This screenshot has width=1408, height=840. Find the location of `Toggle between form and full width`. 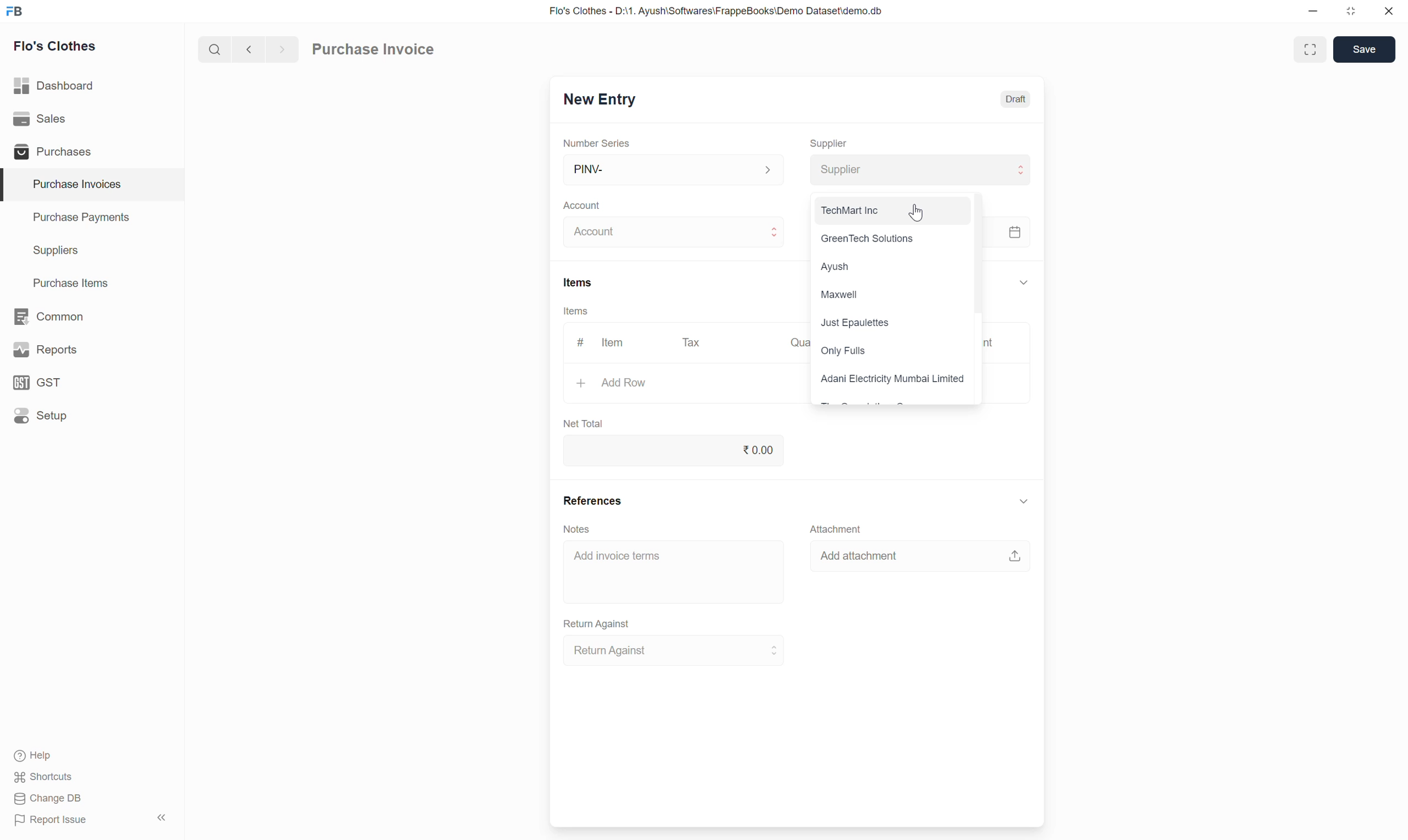

Toggle between form and full width is located at coordinates (1309, 49).